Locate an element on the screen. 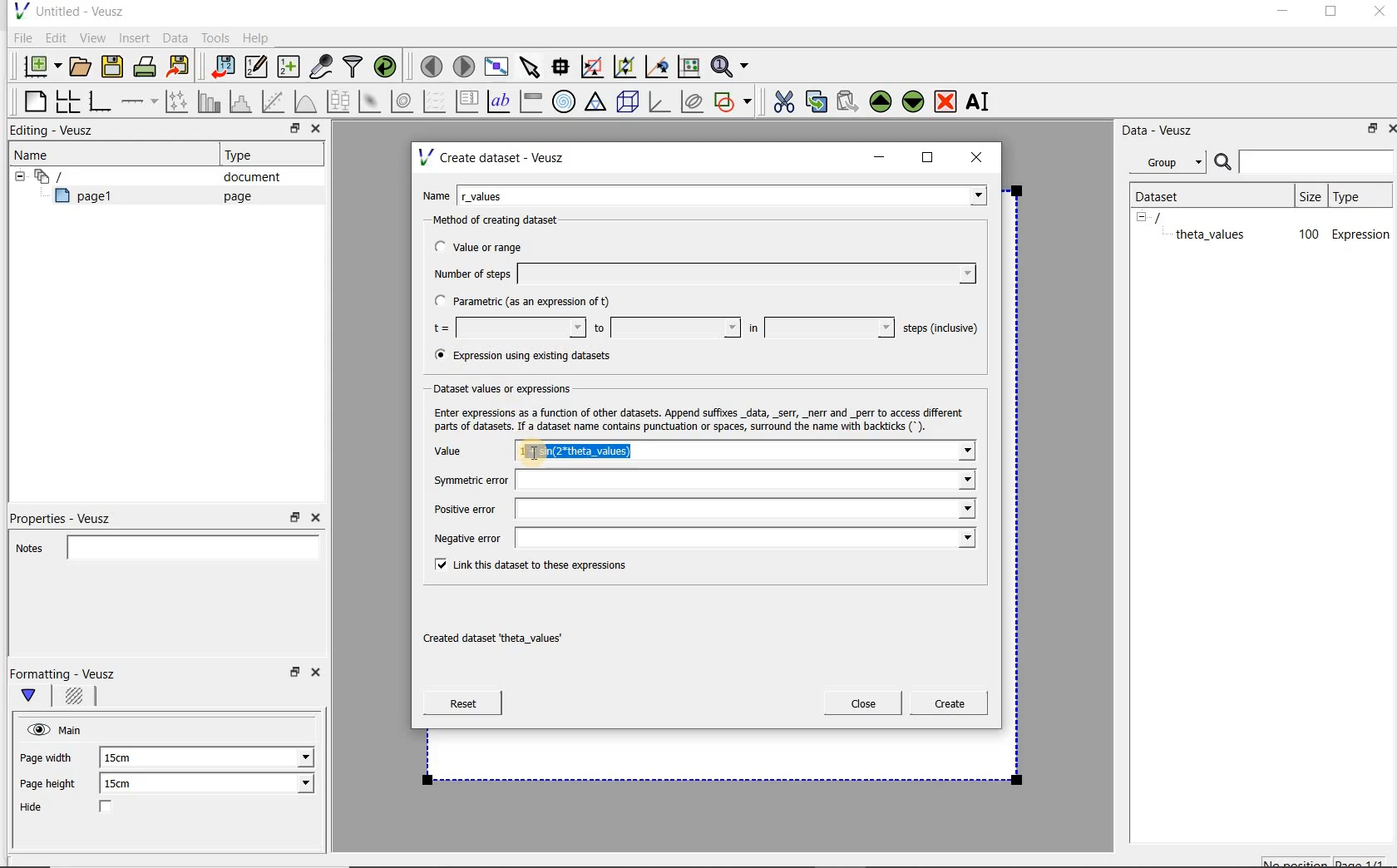  1 + sin(2*theta_values) is located at coordinates (747, 452).